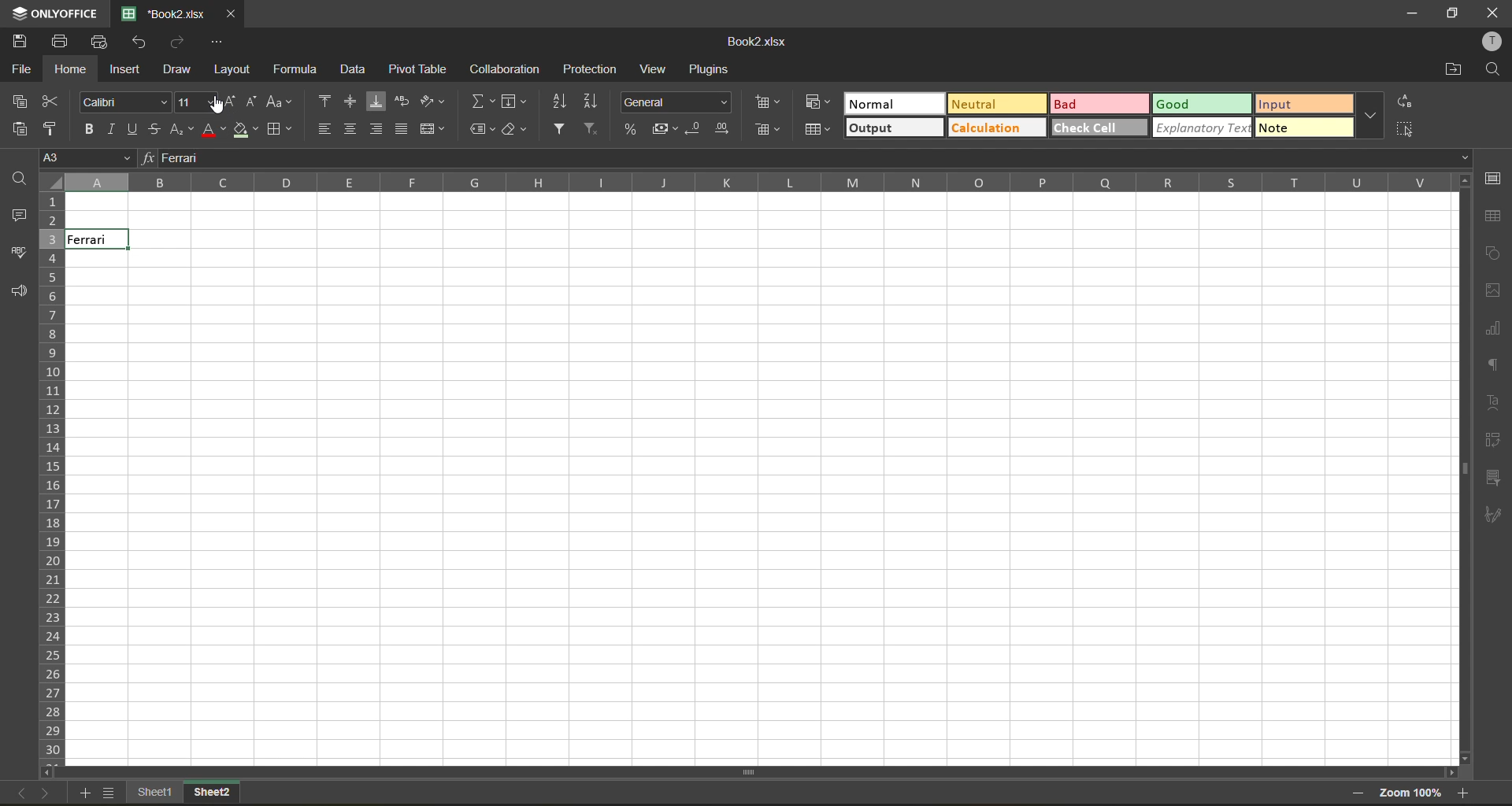  What do you see at coordinates (401, 128) in the screenshot?
I see `justified` at bounding box center [401, 128].